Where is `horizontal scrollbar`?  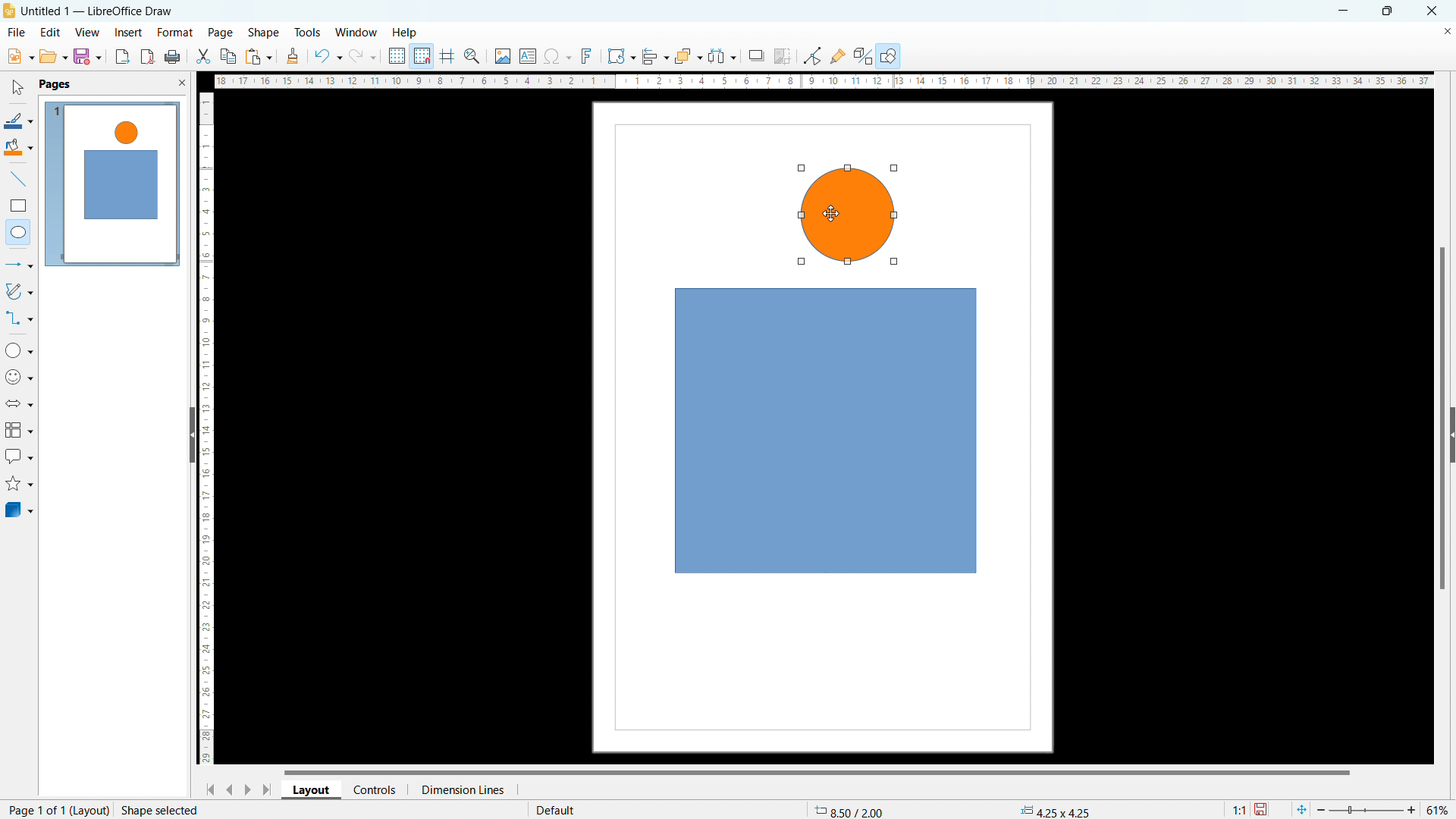
horizontal scrollbar is located at coordinates (817, 771).